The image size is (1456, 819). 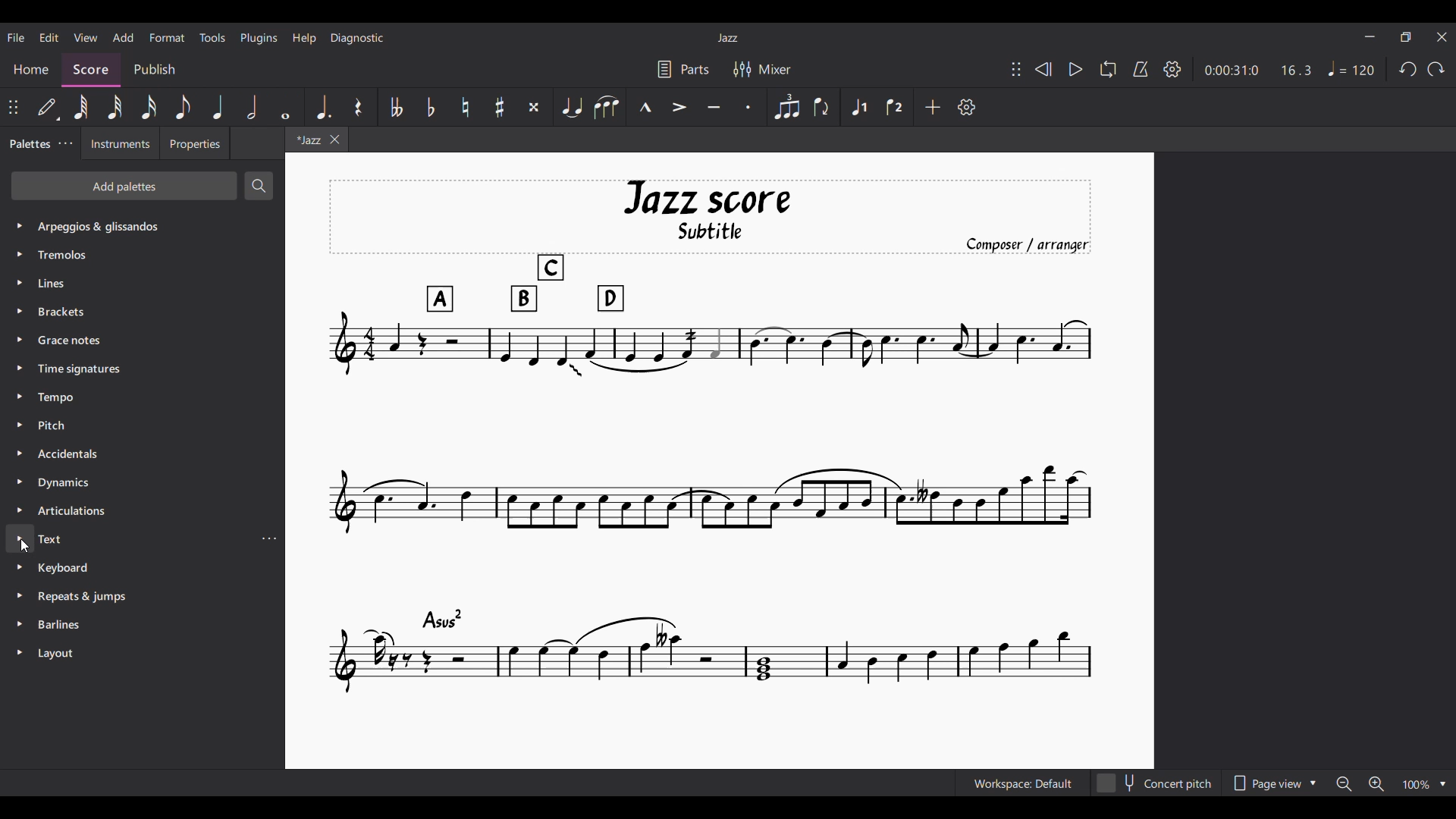 What do you see at coordinates (71, 454) in the screenshot?
I see `` at bounding box center [71, 454].